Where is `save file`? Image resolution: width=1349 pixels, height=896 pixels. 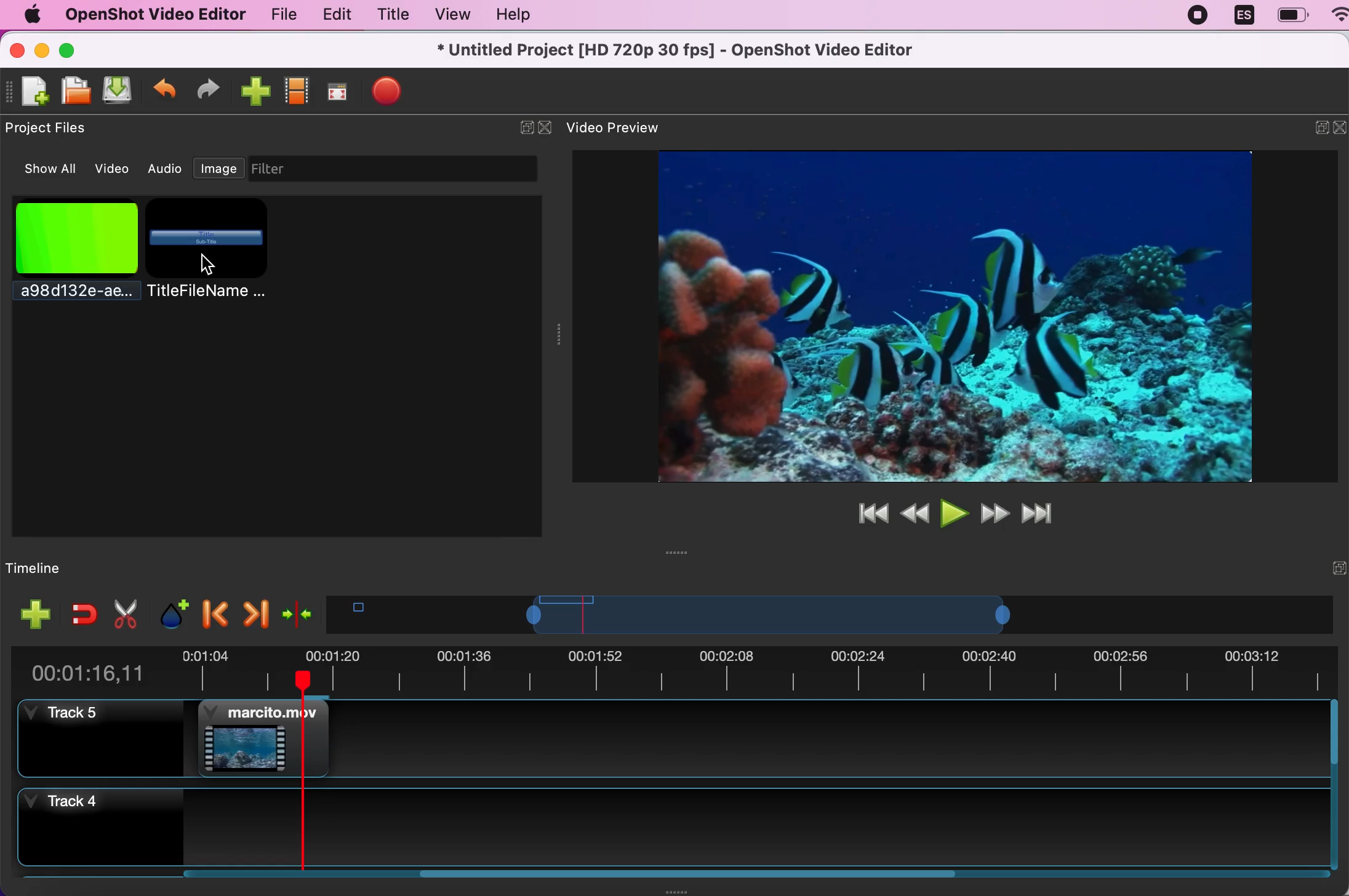 save file is located at coordinates (121, 92).